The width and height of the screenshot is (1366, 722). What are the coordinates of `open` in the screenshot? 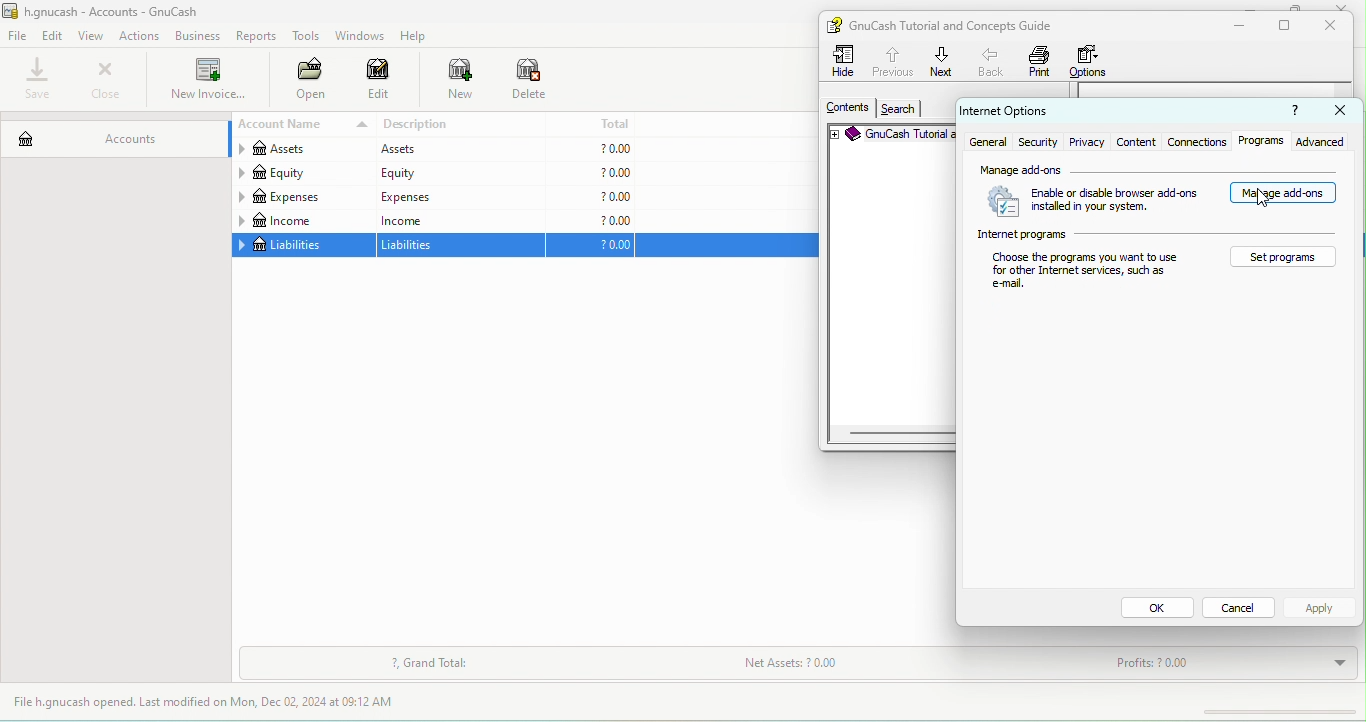 It's located at (305, 81).